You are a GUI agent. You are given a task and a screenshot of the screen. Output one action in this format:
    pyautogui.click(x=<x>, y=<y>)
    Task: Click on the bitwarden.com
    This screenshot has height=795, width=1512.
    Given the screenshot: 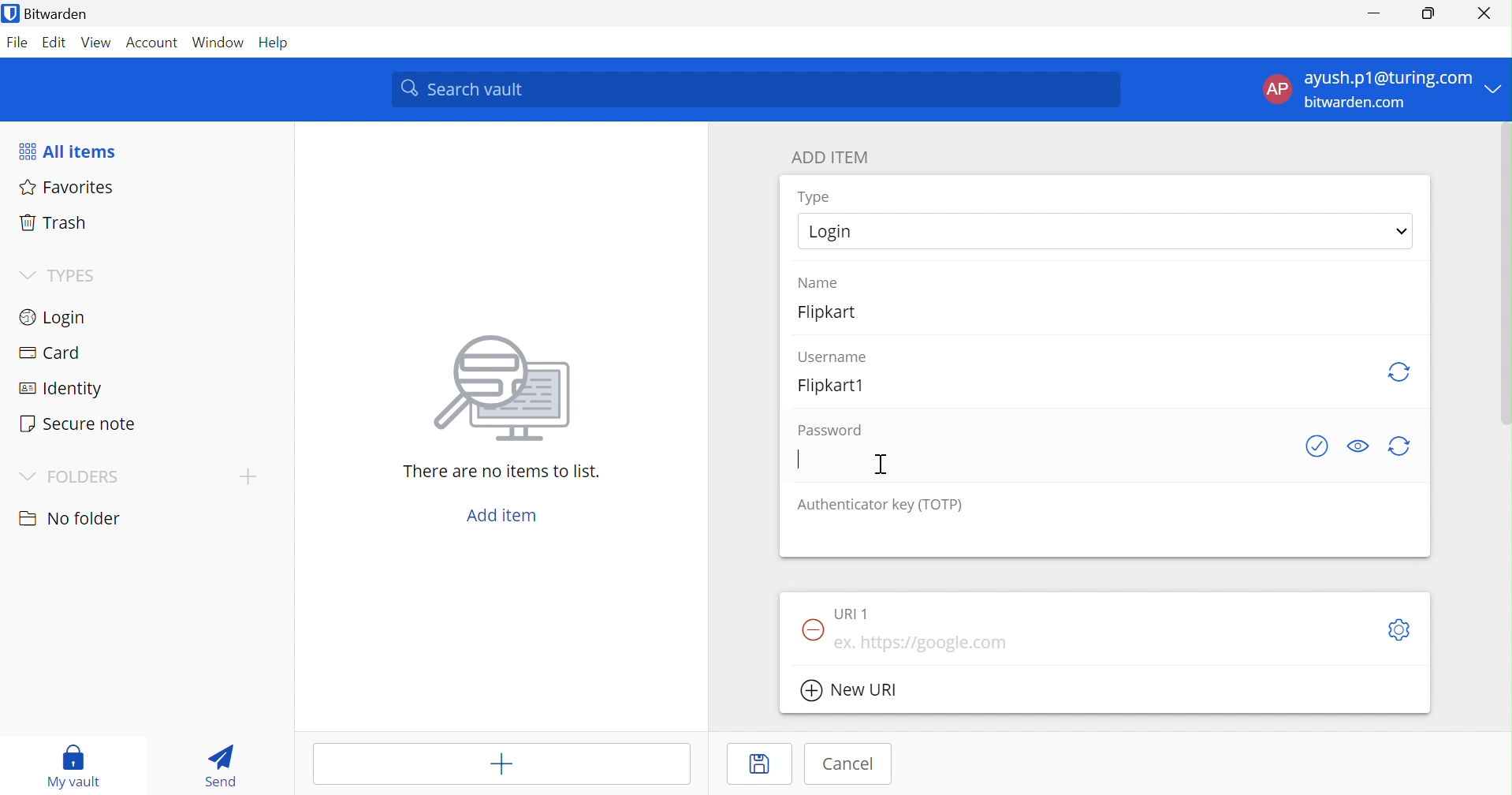 What is the action you would take?
    pyautogui.click(x=1362, y=104)
    